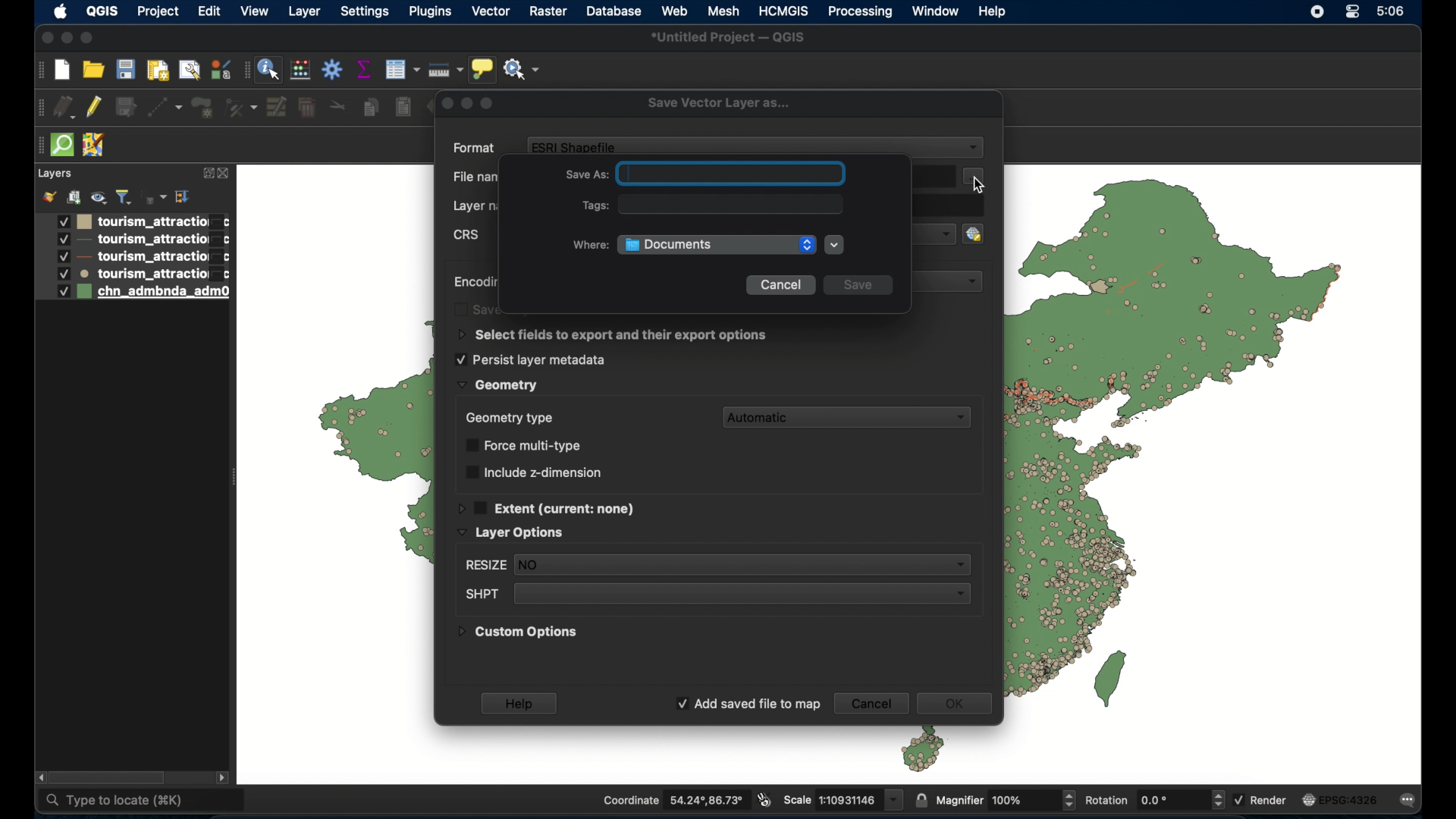  What do you see at coordinates (364, 13) in the screenshot?
I see `settings` at bounding box center [364, 13].